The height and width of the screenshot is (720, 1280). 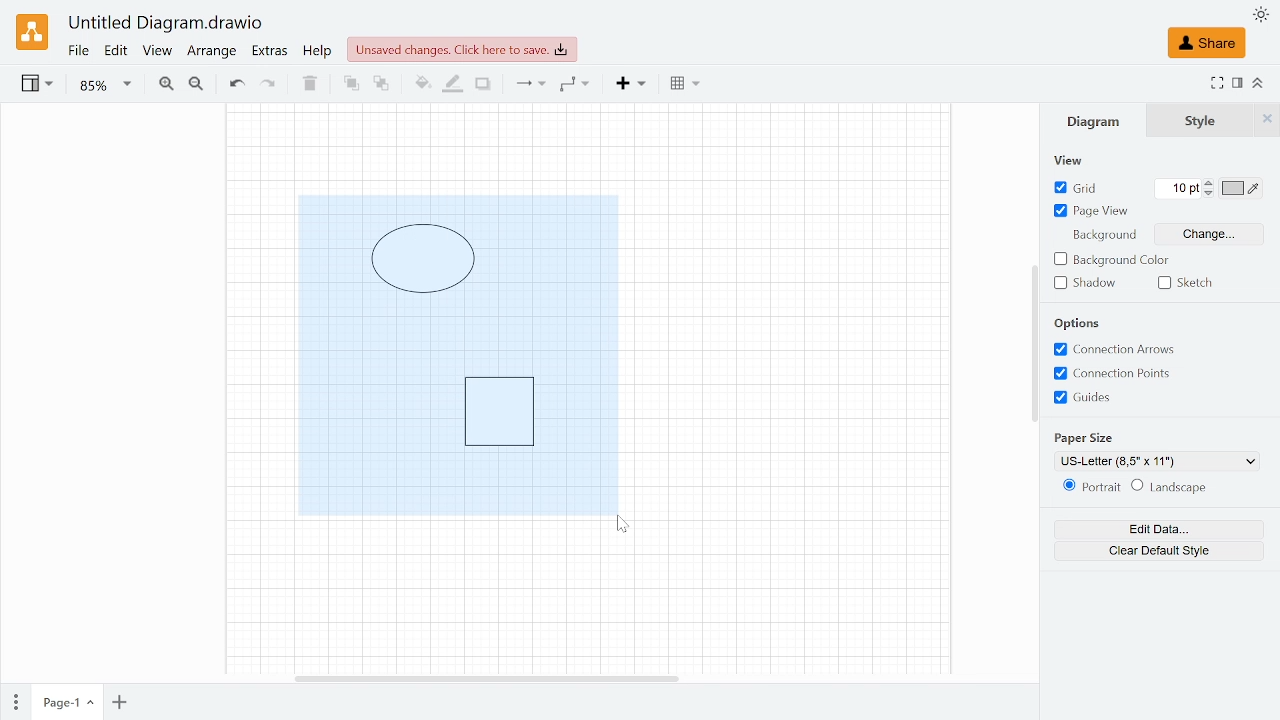 What do you see at coordinates (1158, 461) in the screenshot?
I see `Paper size` at bounding box center [1158, 461].